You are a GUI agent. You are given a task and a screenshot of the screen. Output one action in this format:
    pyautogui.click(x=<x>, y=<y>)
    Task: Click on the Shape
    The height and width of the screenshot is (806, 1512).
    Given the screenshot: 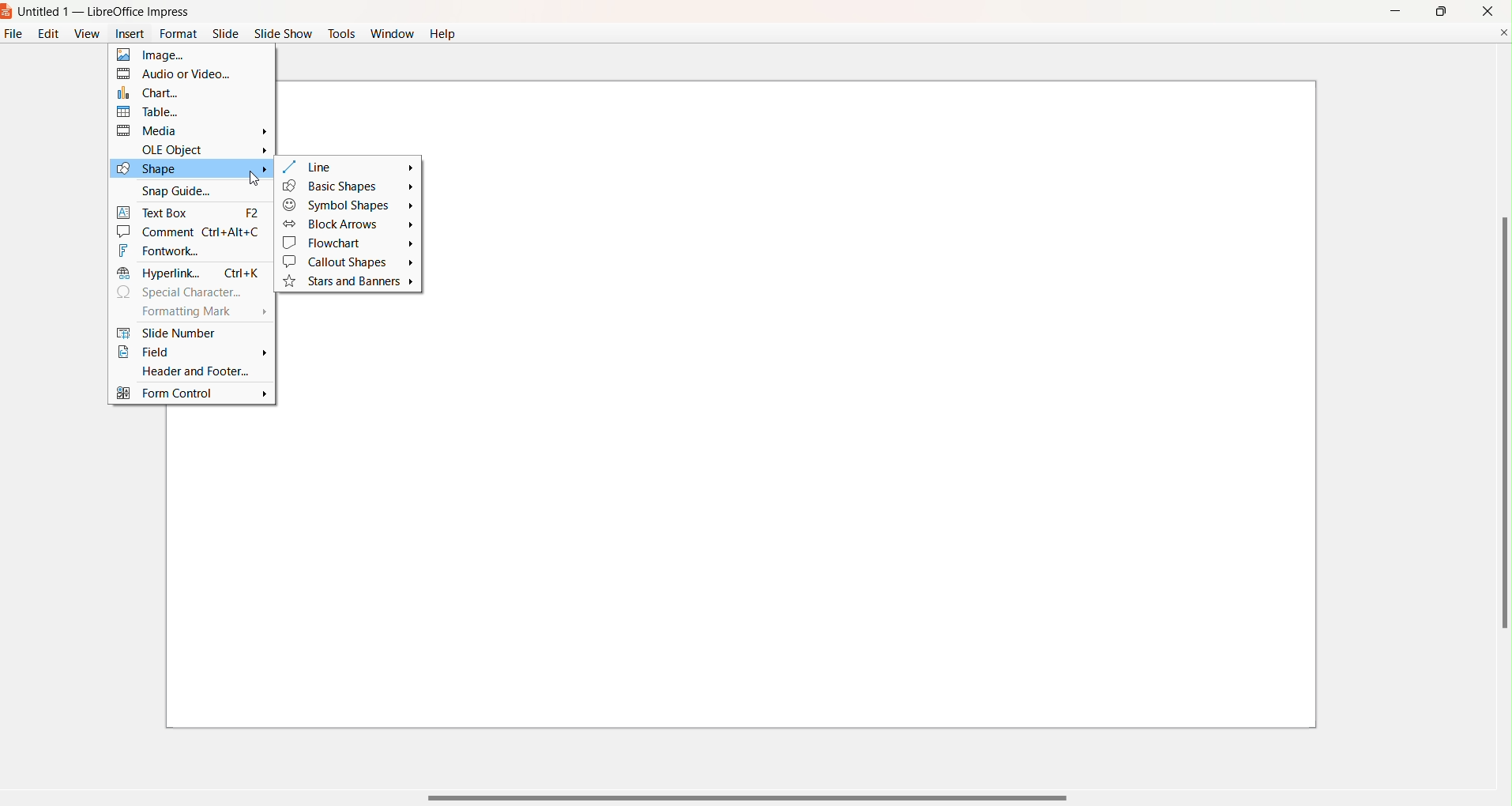 What is the action you would take?
    pyautogui.click(x=190, y=169)
    